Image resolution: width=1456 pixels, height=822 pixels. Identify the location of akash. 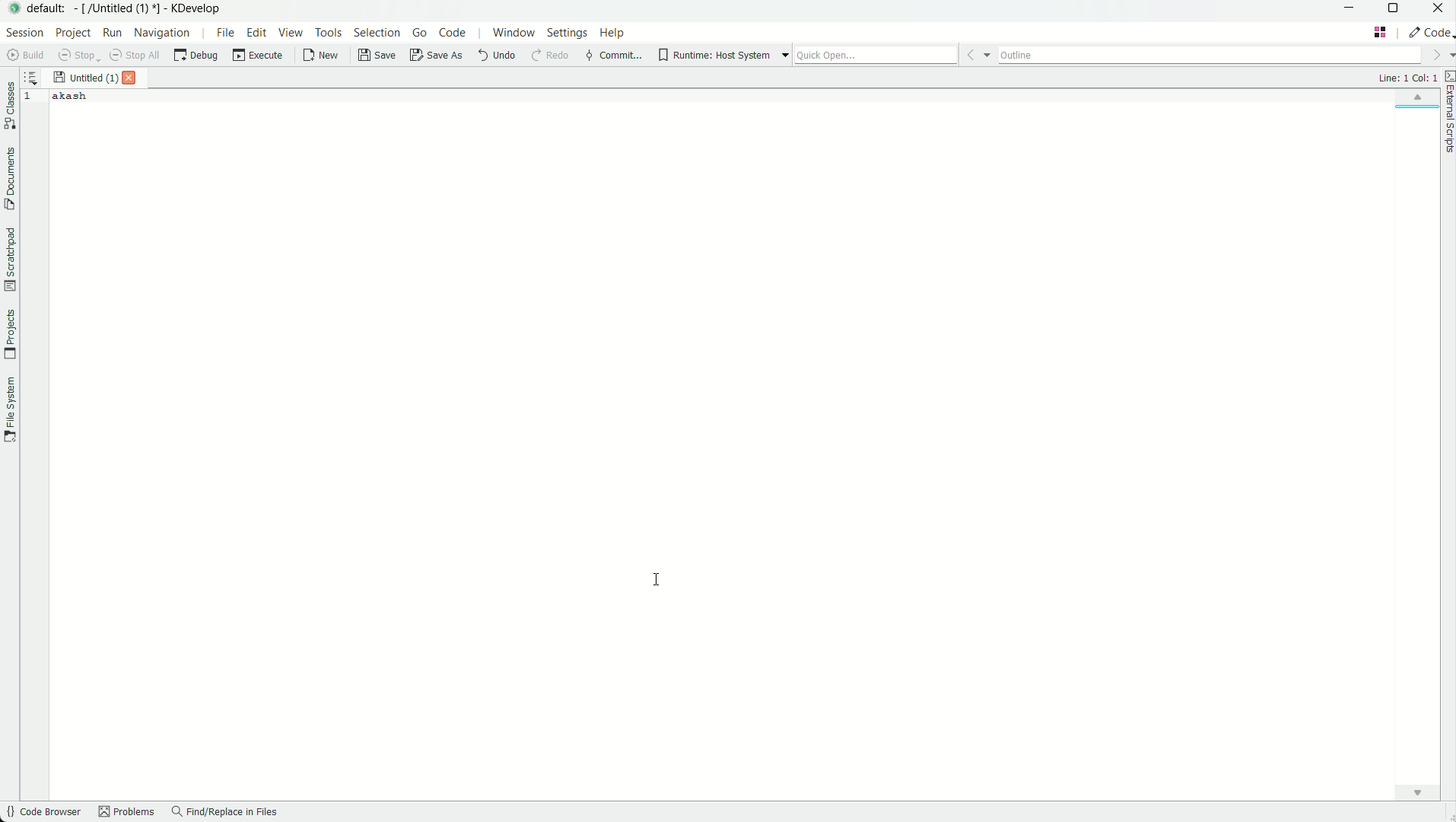
(71, 96).